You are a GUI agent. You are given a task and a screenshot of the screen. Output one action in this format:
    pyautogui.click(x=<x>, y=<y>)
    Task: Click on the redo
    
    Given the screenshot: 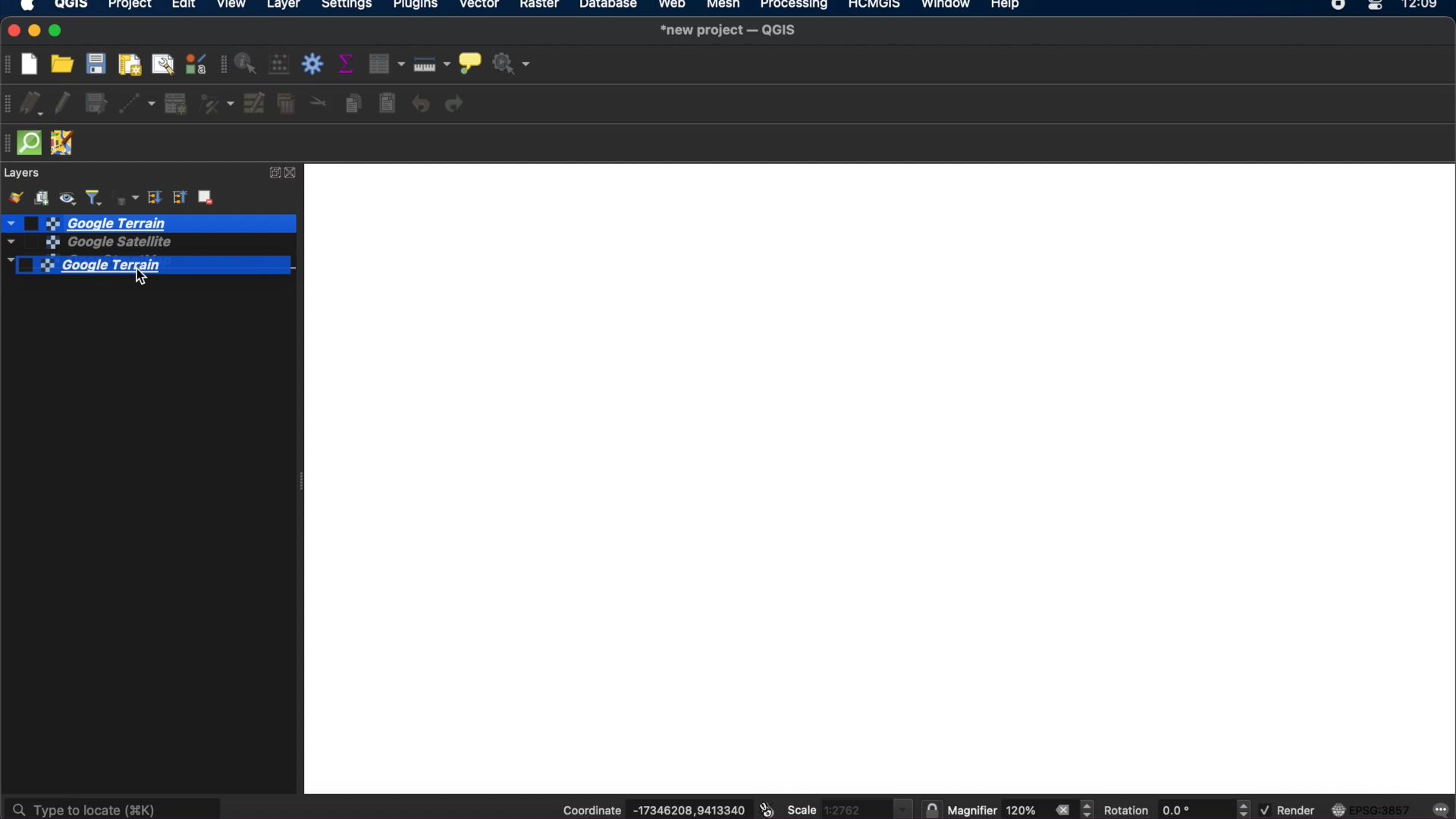 What is the action you would take?
    pyautogui.click(x=458, y=105)
    